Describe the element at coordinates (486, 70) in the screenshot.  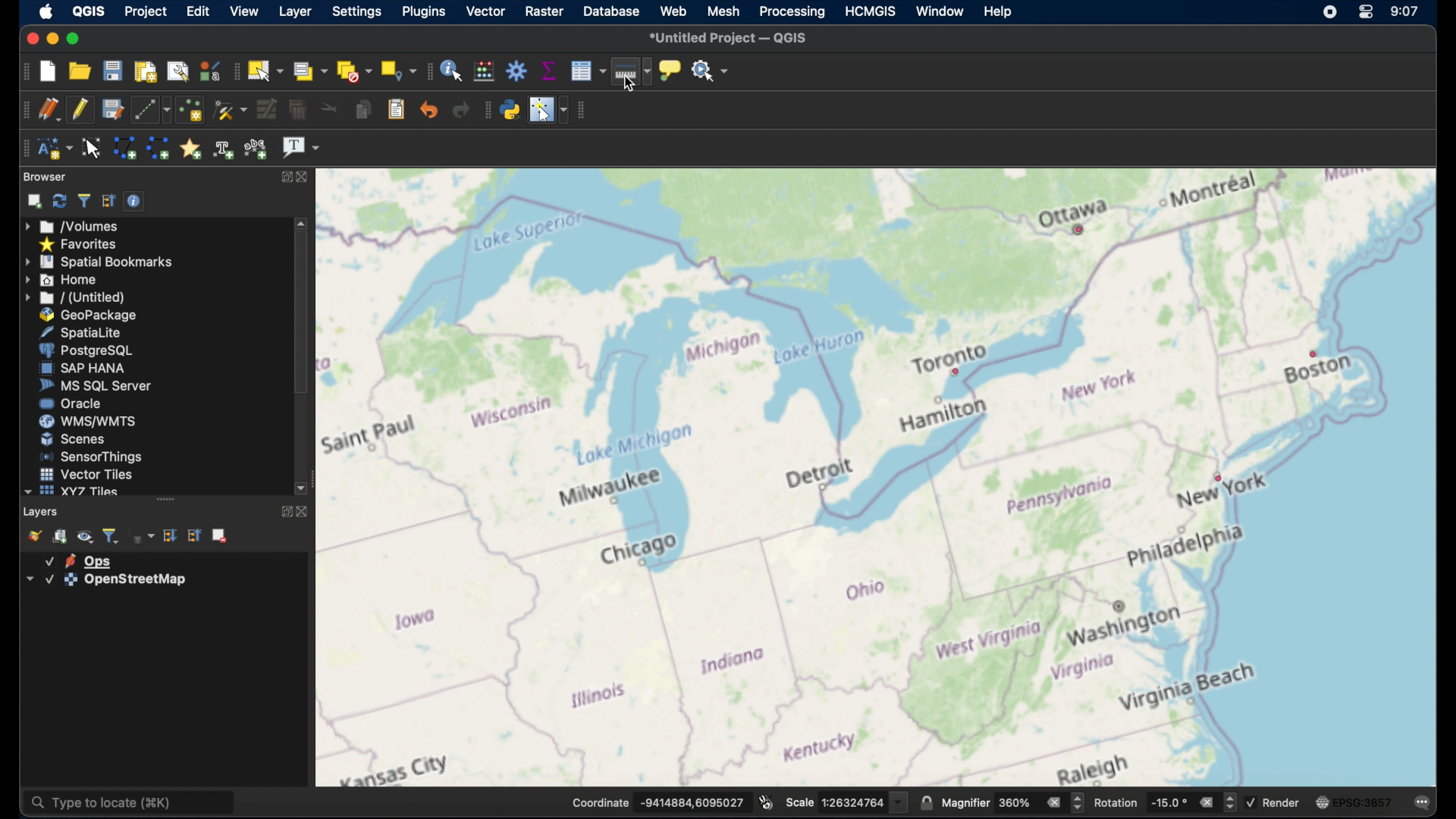
I see `open field calculator` at that location.